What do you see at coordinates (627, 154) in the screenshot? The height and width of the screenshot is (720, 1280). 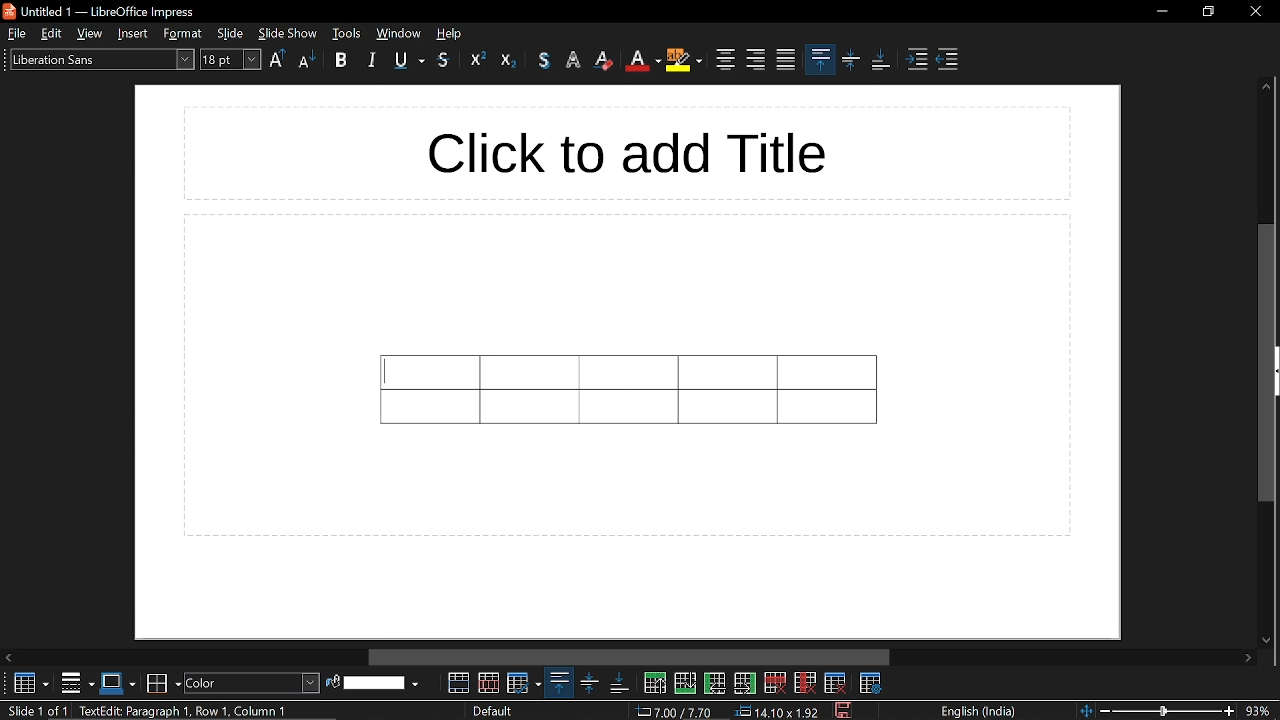 I see `click to add title` at bounding box center [627, 154].